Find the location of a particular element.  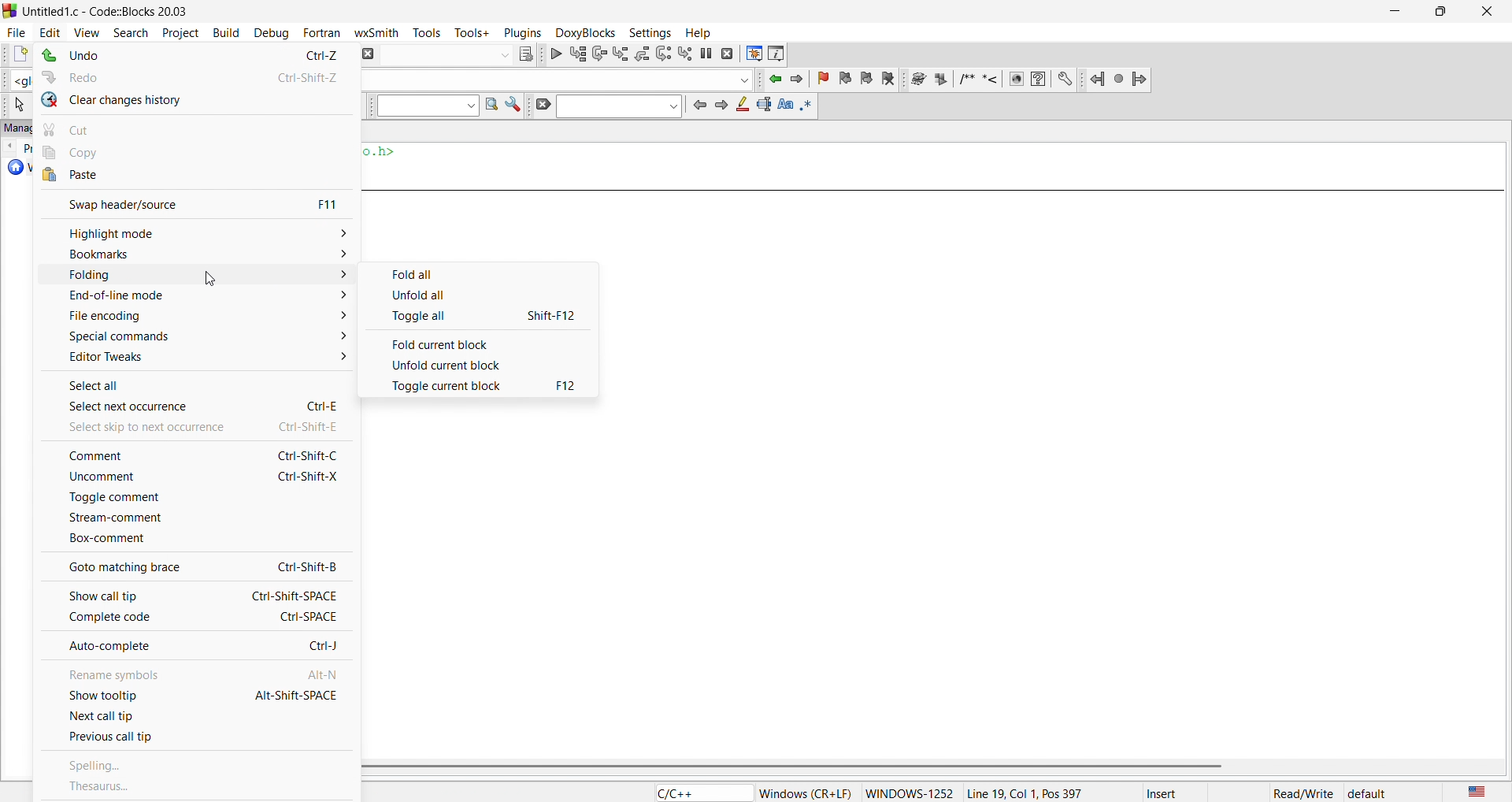

complete code is located at coordinates (196, 618).